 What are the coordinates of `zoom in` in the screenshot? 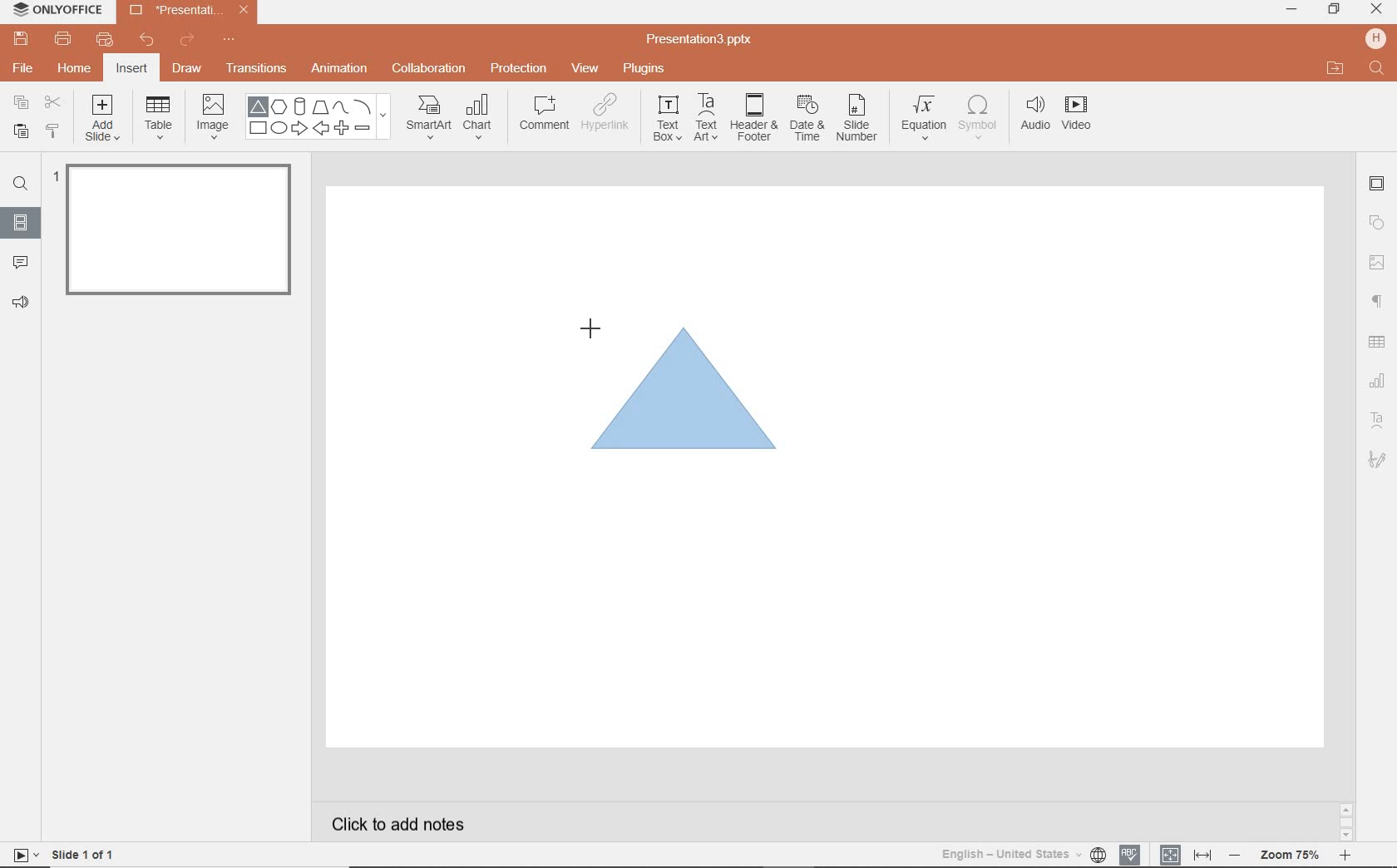 It's located at (1345, 857).